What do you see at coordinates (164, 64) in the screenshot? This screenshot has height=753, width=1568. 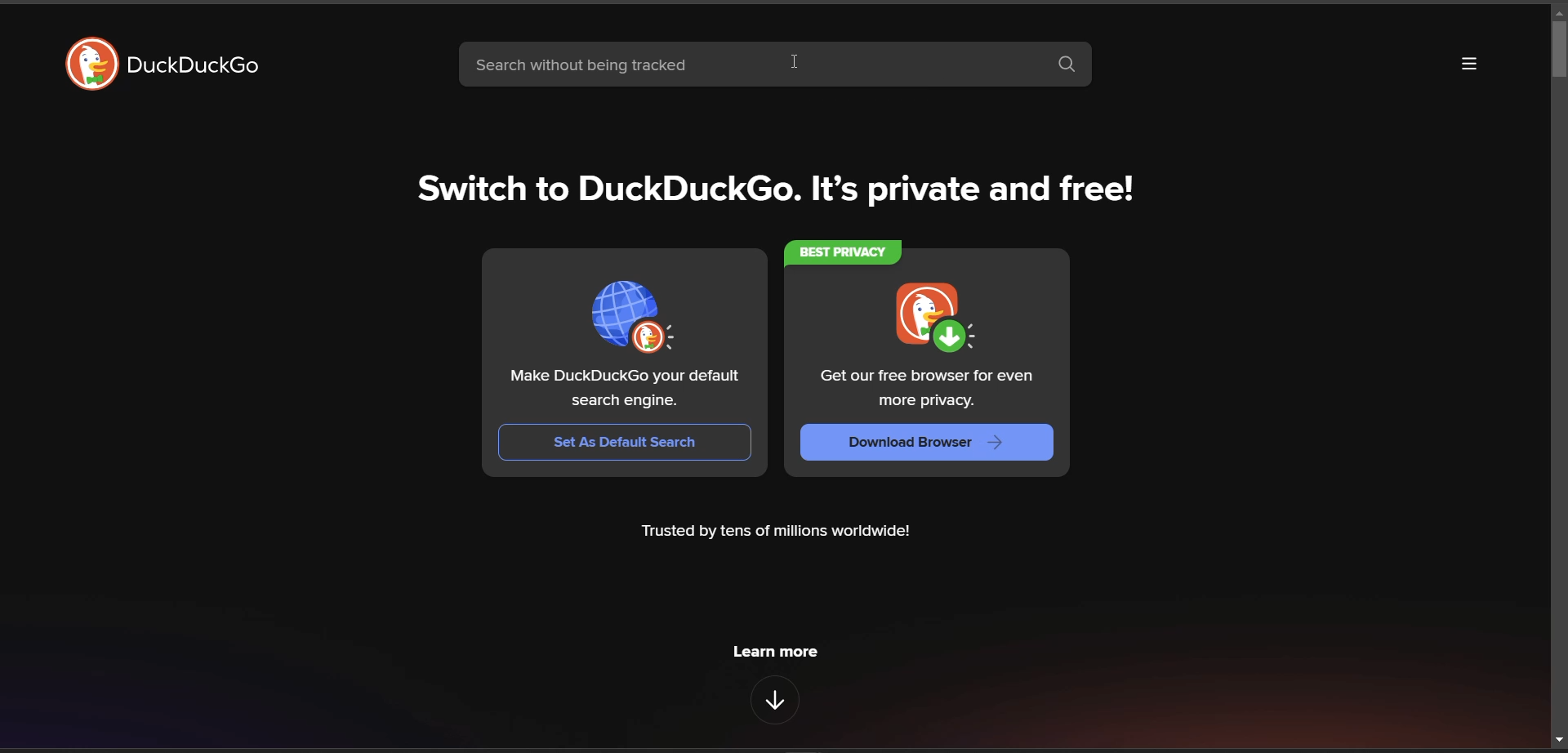 I see `logo and title` at bounding box center [164, 64].